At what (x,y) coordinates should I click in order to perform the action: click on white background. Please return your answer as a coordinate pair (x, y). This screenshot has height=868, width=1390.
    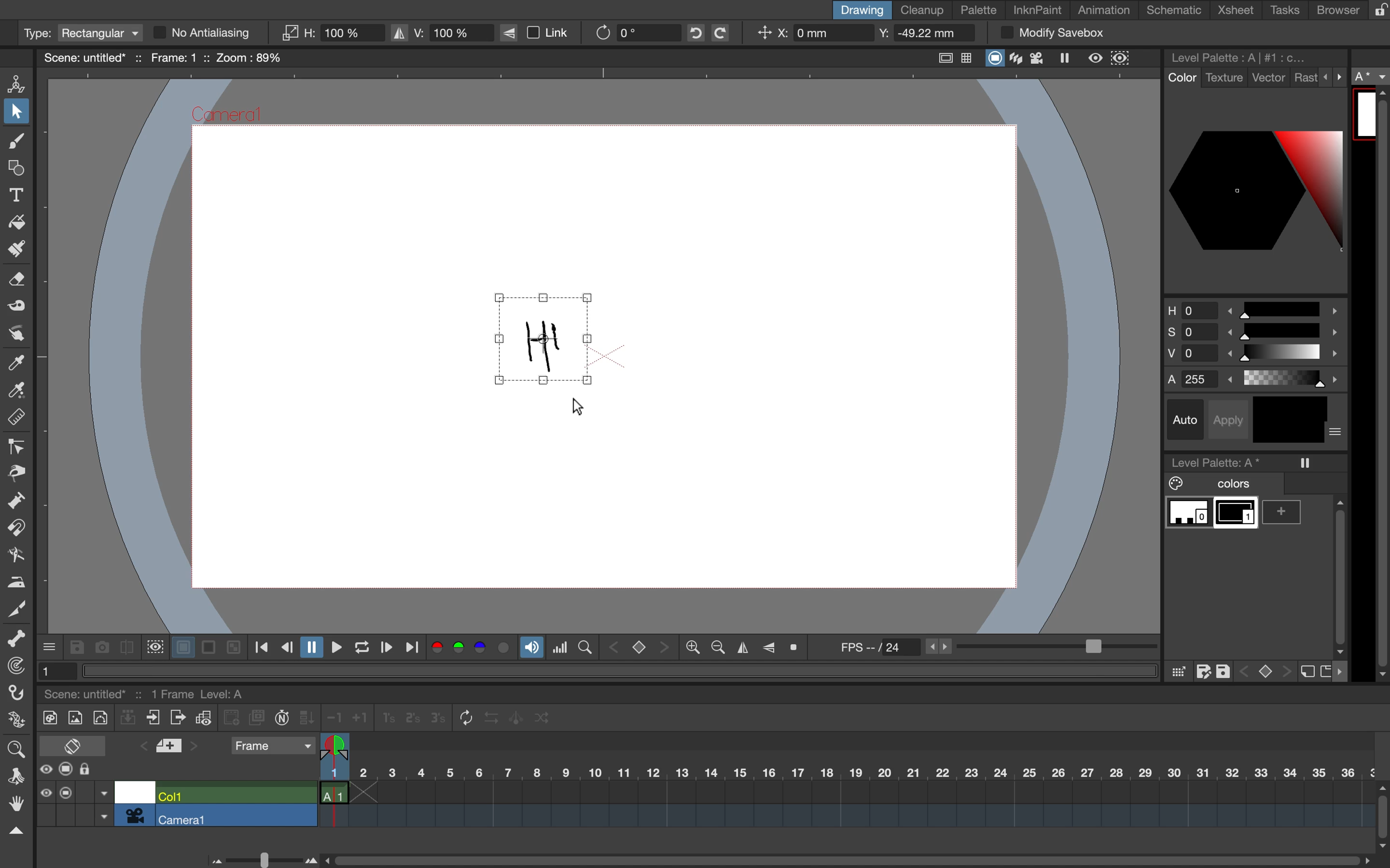
    Looking at the image, I should click on (181, 645).